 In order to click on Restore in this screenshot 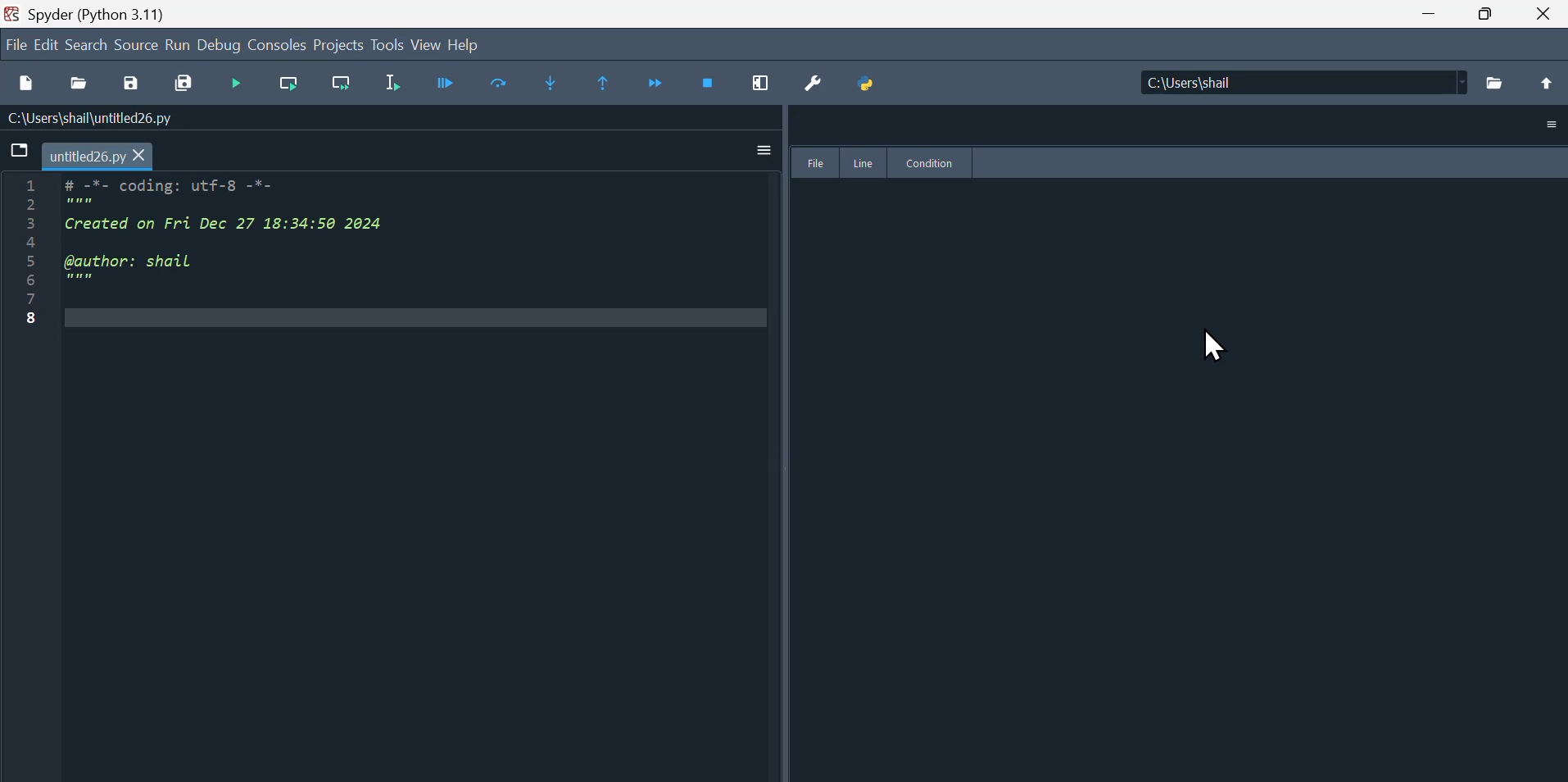, I will do `click(1489, 15)`.